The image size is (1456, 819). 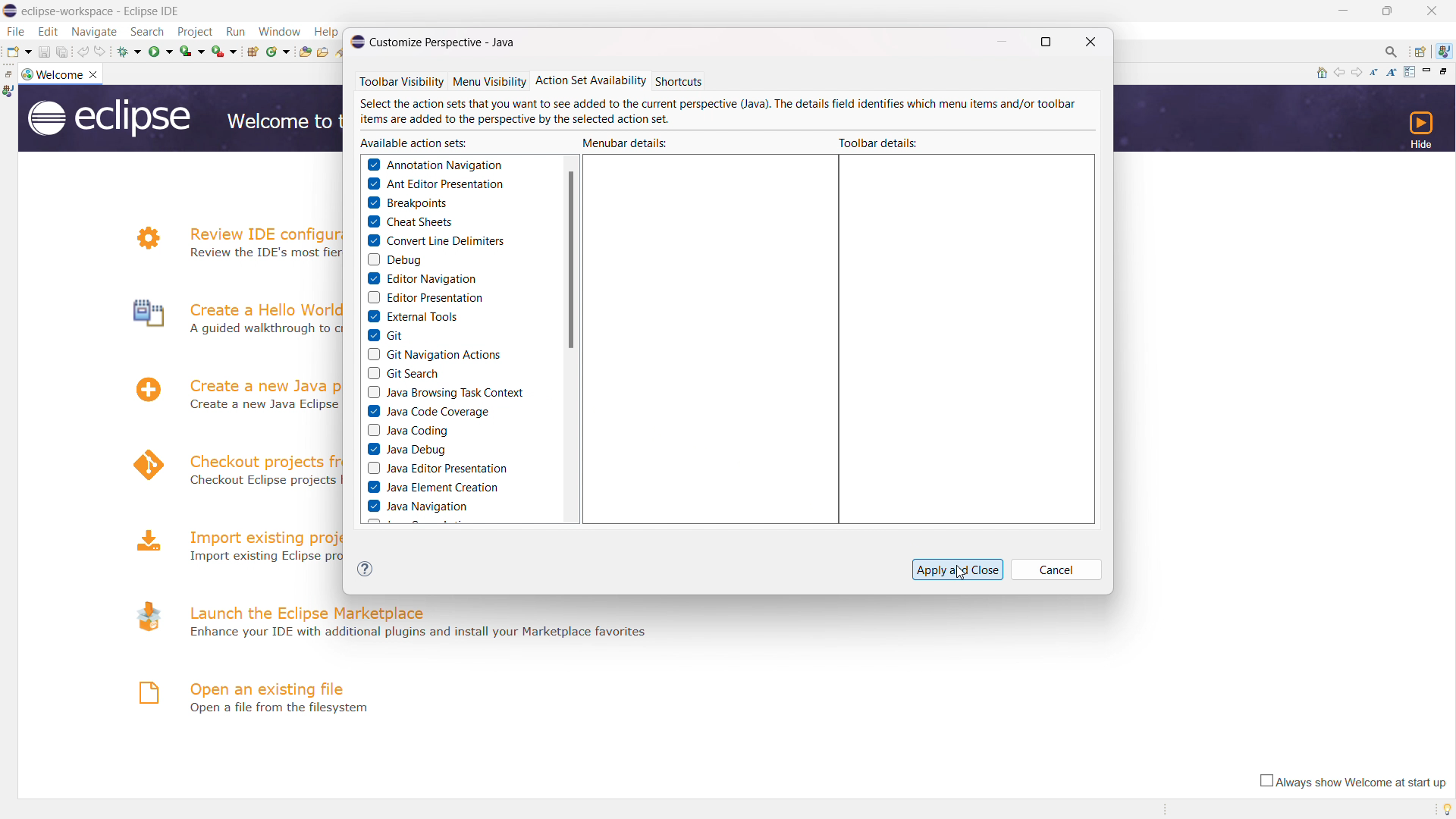 I want to click on java editor presentation, so click(x=437, y=468).